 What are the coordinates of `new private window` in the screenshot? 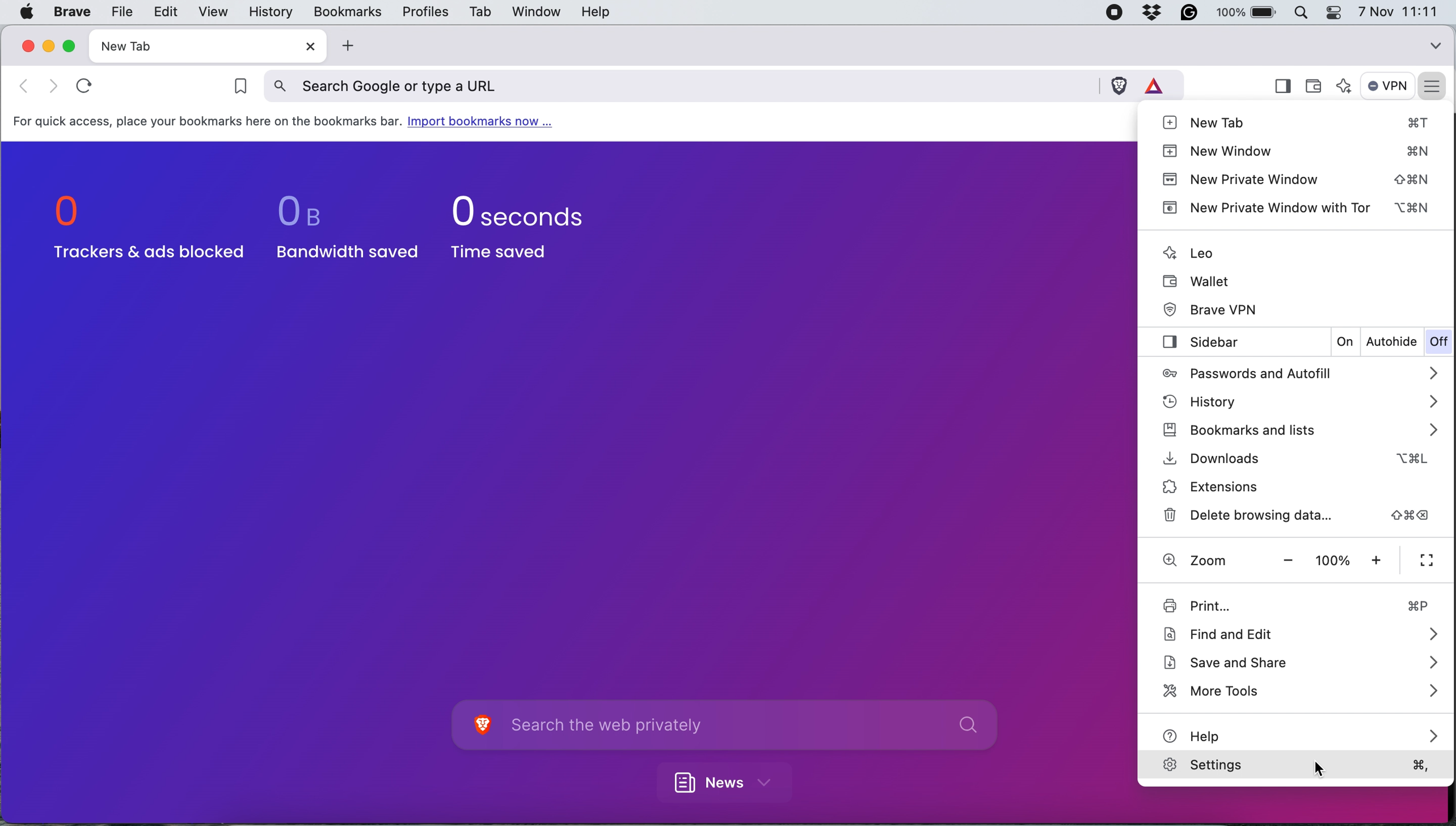 It's located at (1298, 179).